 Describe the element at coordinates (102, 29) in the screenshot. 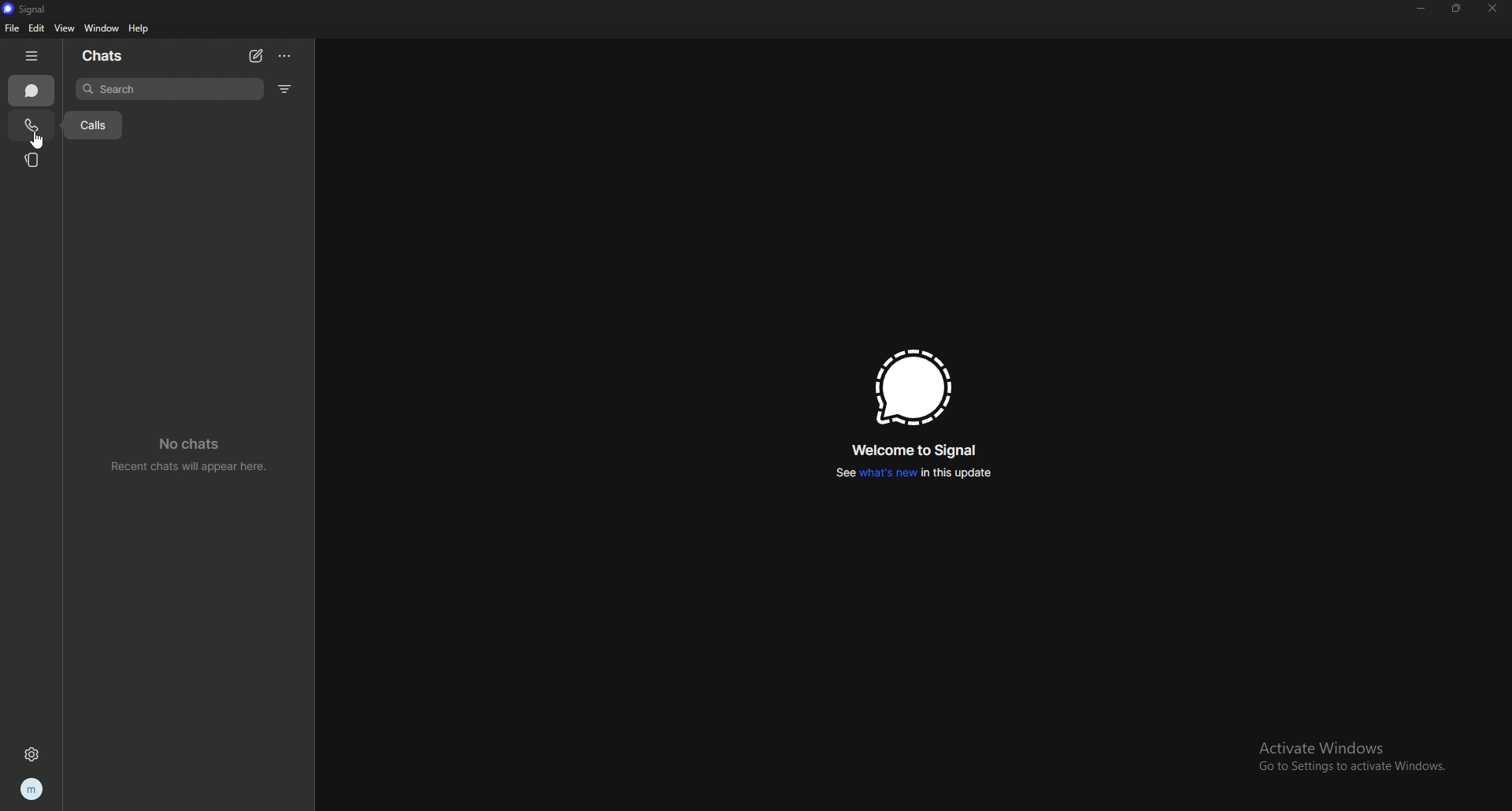

I see `window` at that location.